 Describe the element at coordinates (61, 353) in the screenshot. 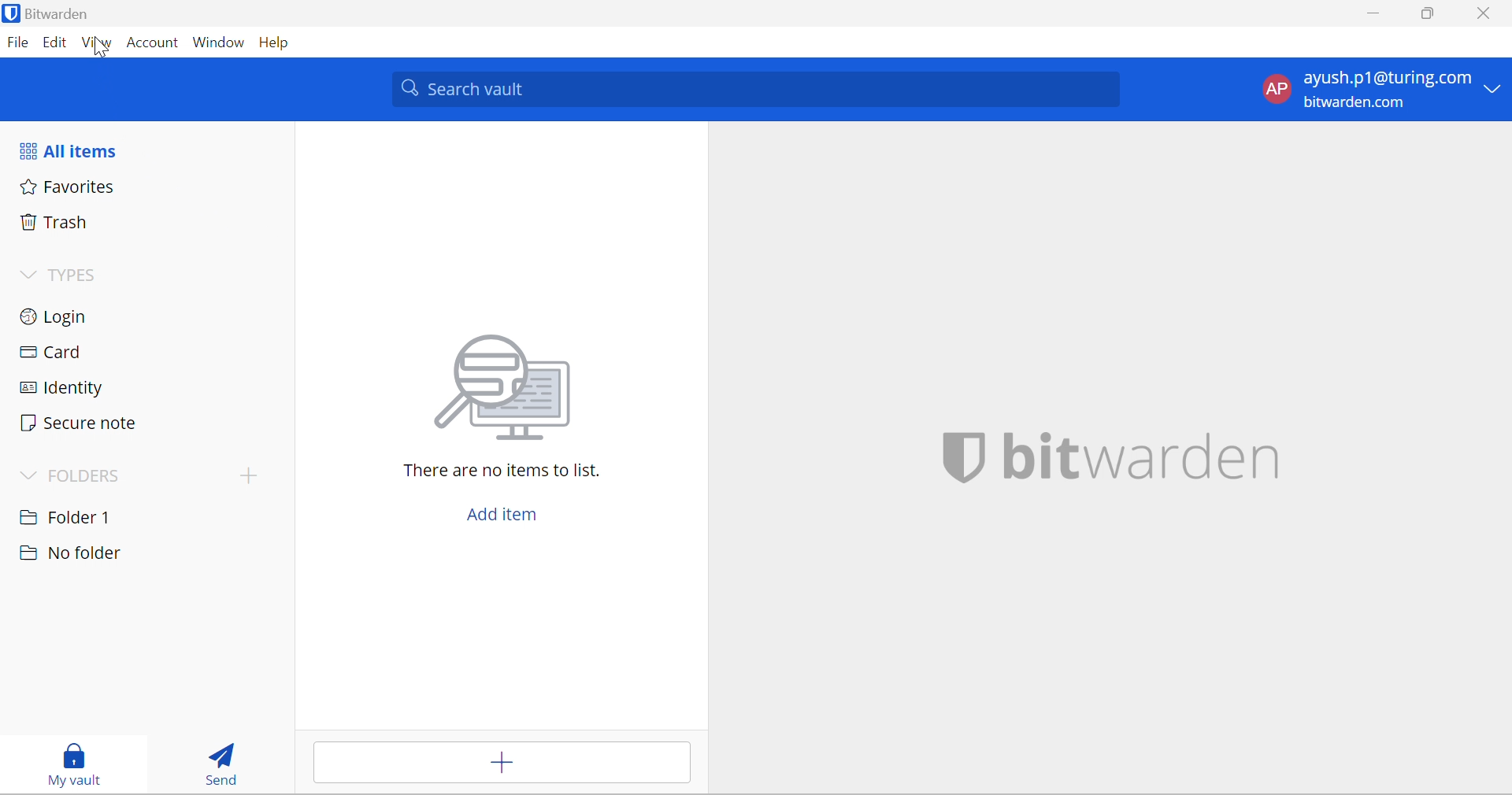

I see `Card` at that location.